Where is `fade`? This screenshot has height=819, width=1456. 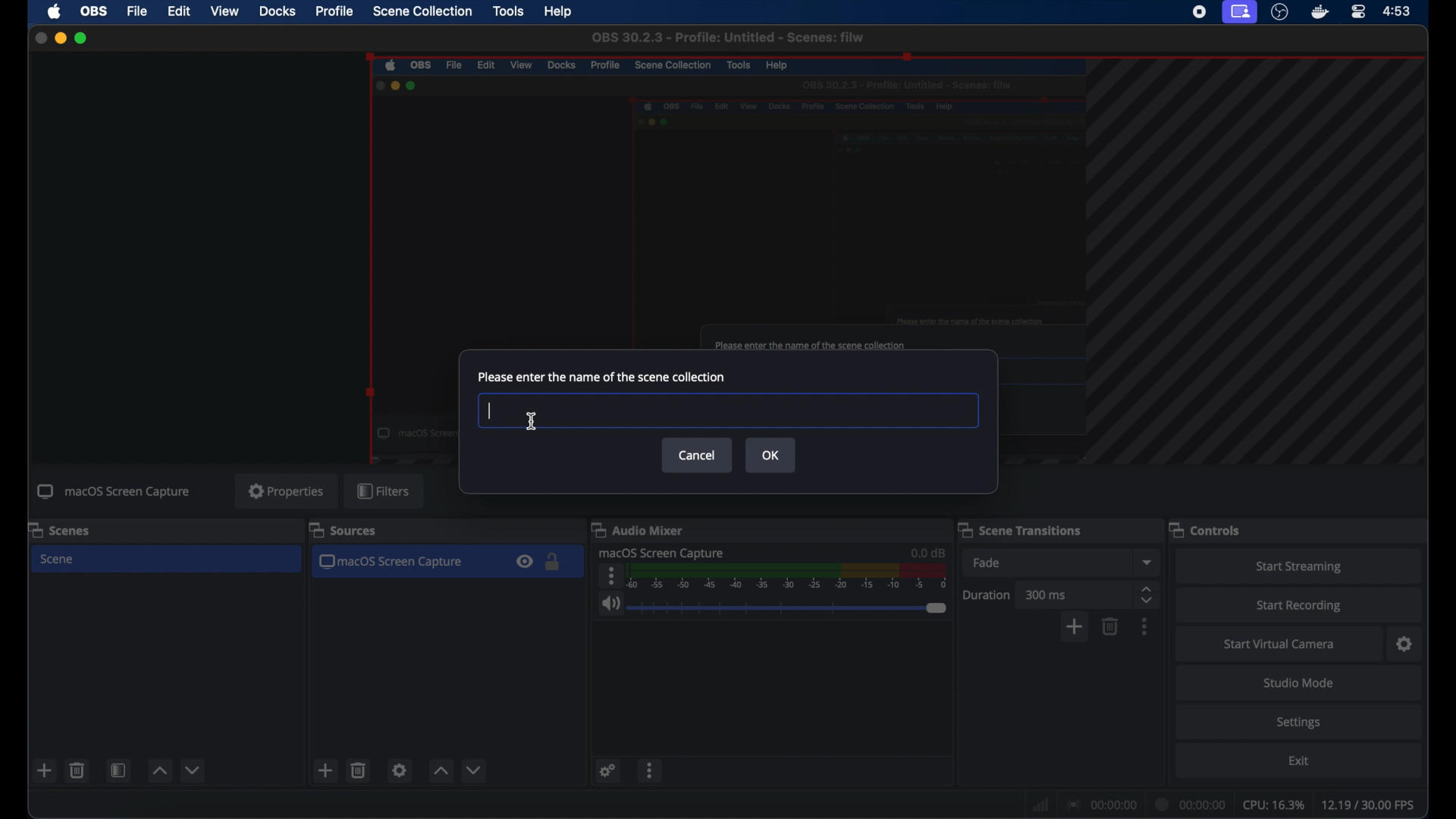 fade is located at coordinates (986, 563).